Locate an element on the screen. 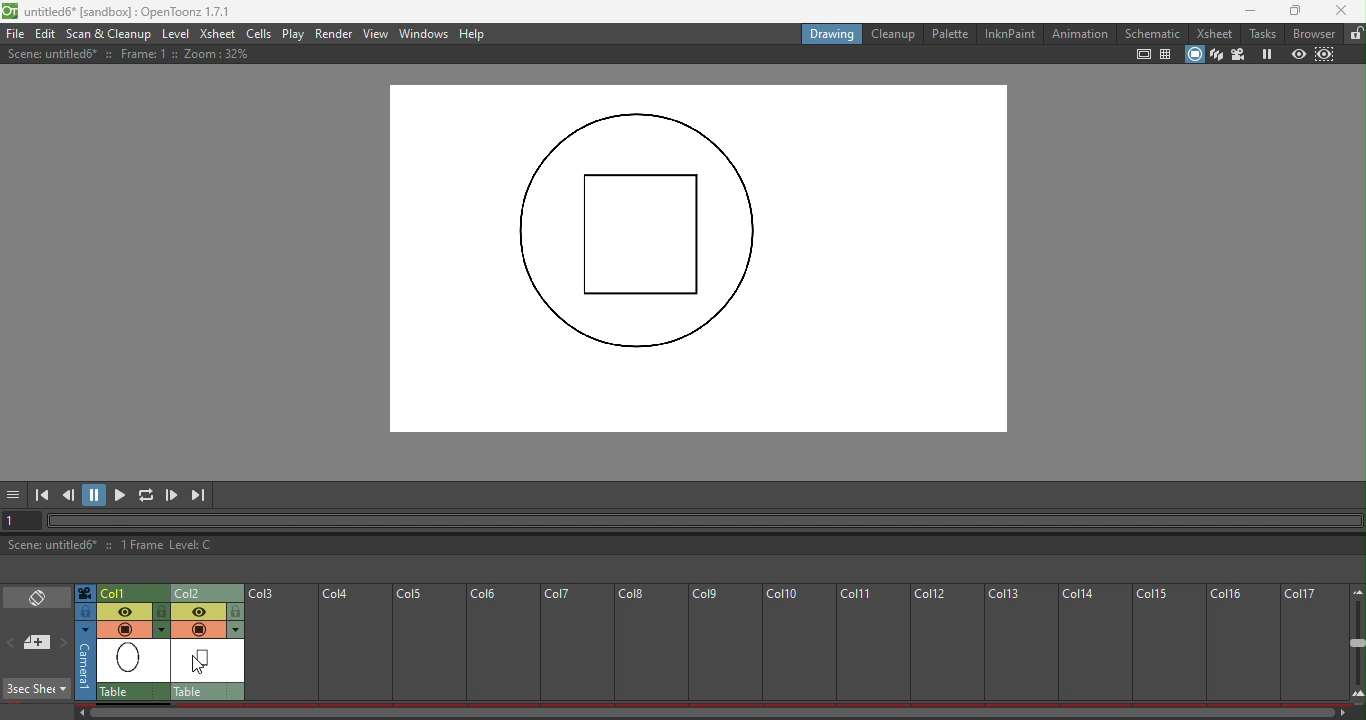  Safe area is located at coordinates (1143, 56).